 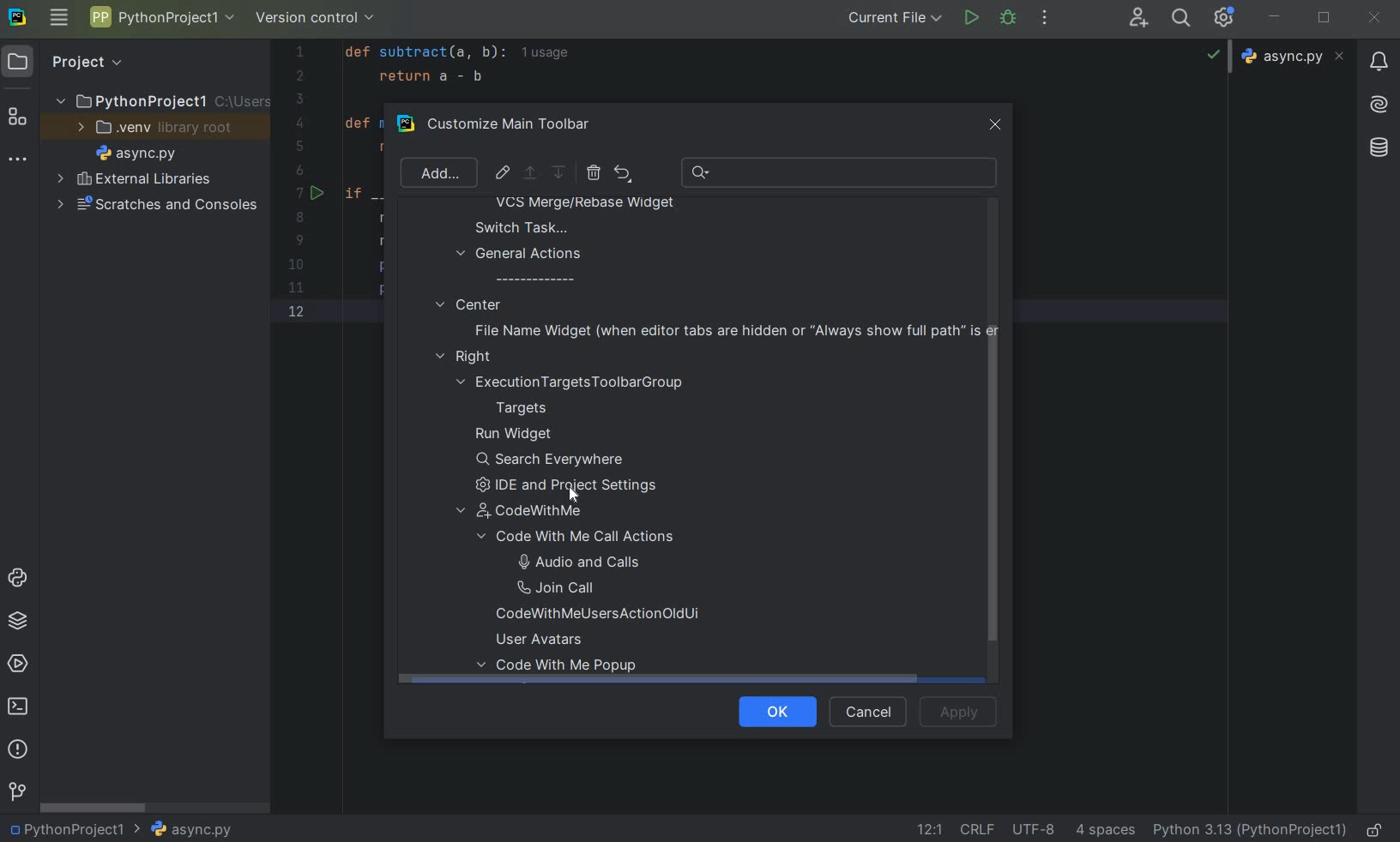 I want to click on REMOVE, so click(x=593, y=172).